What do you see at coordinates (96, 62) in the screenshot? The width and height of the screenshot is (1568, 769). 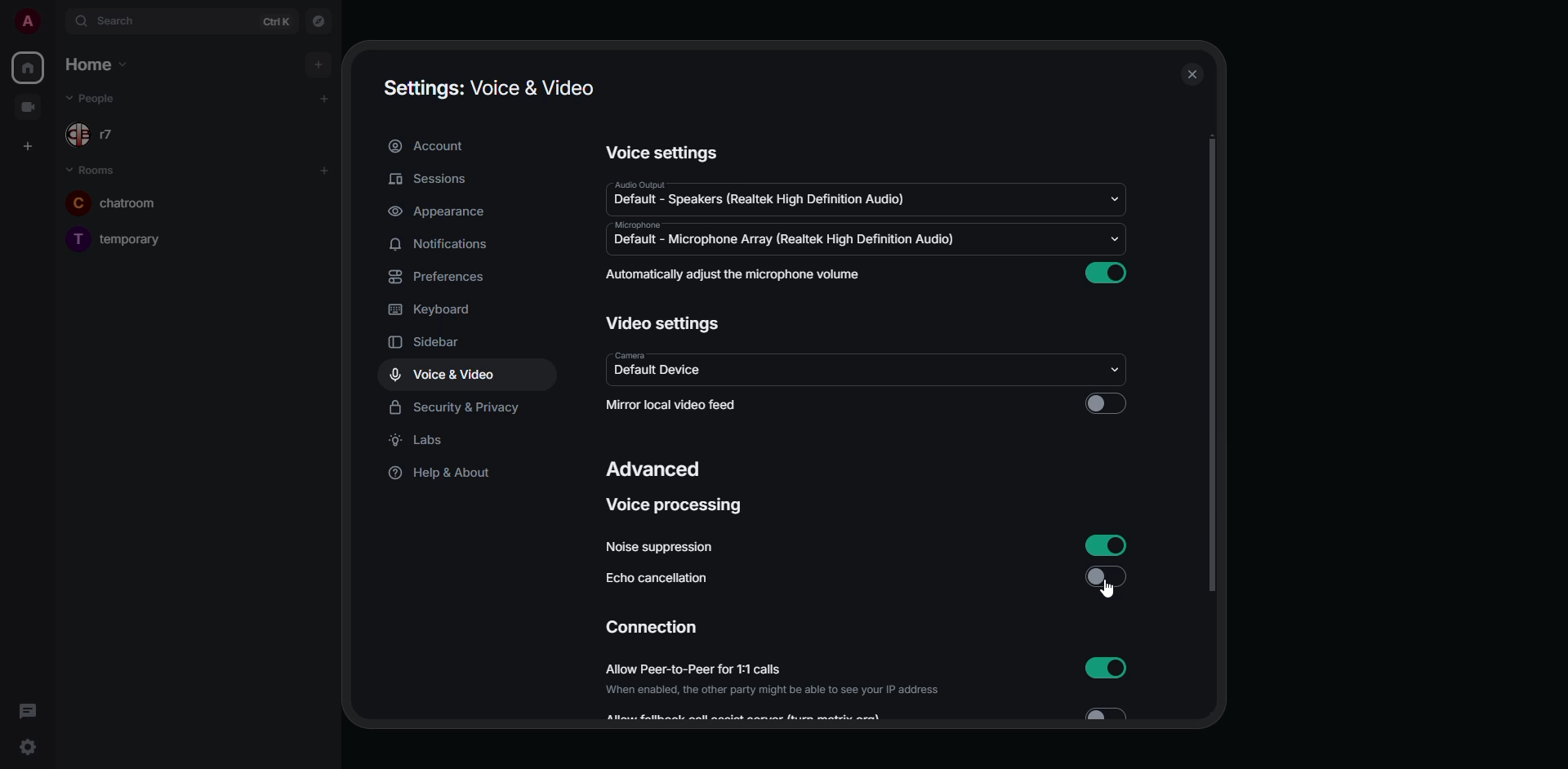 I see `home` at bounding box center [96, 62].